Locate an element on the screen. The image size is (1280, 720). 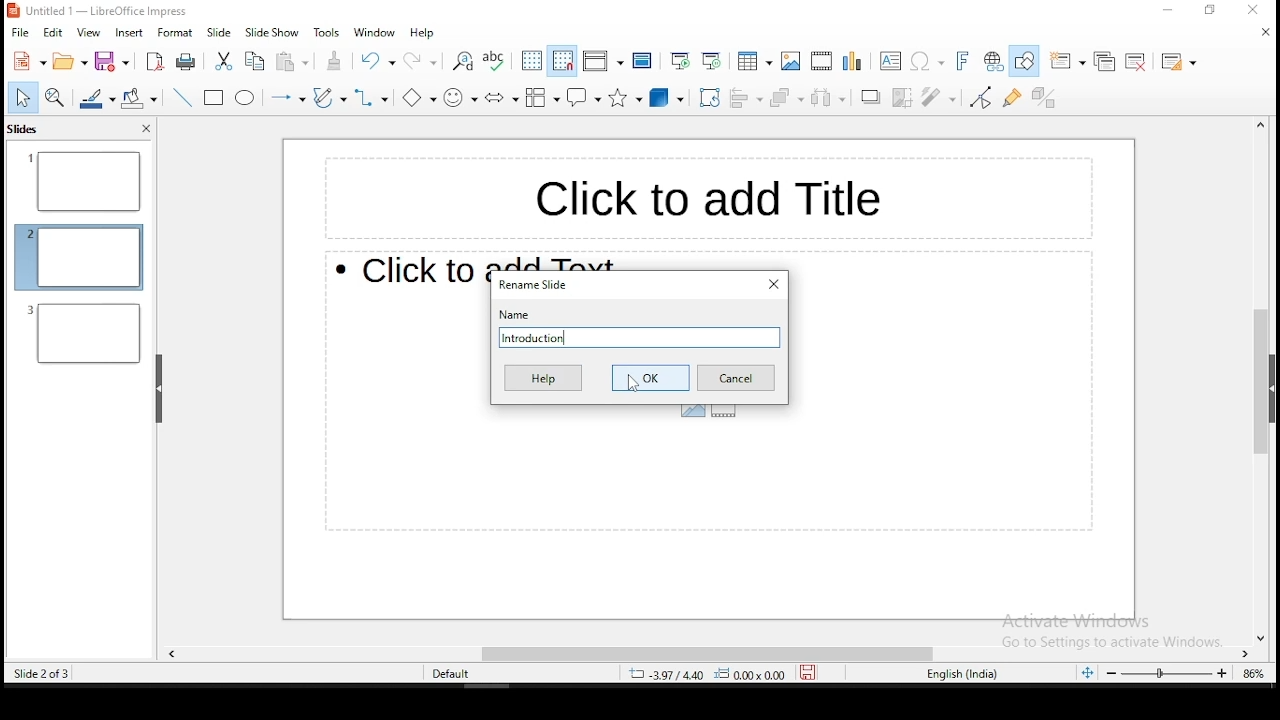
insert chart is located at coordinates (851, 61).